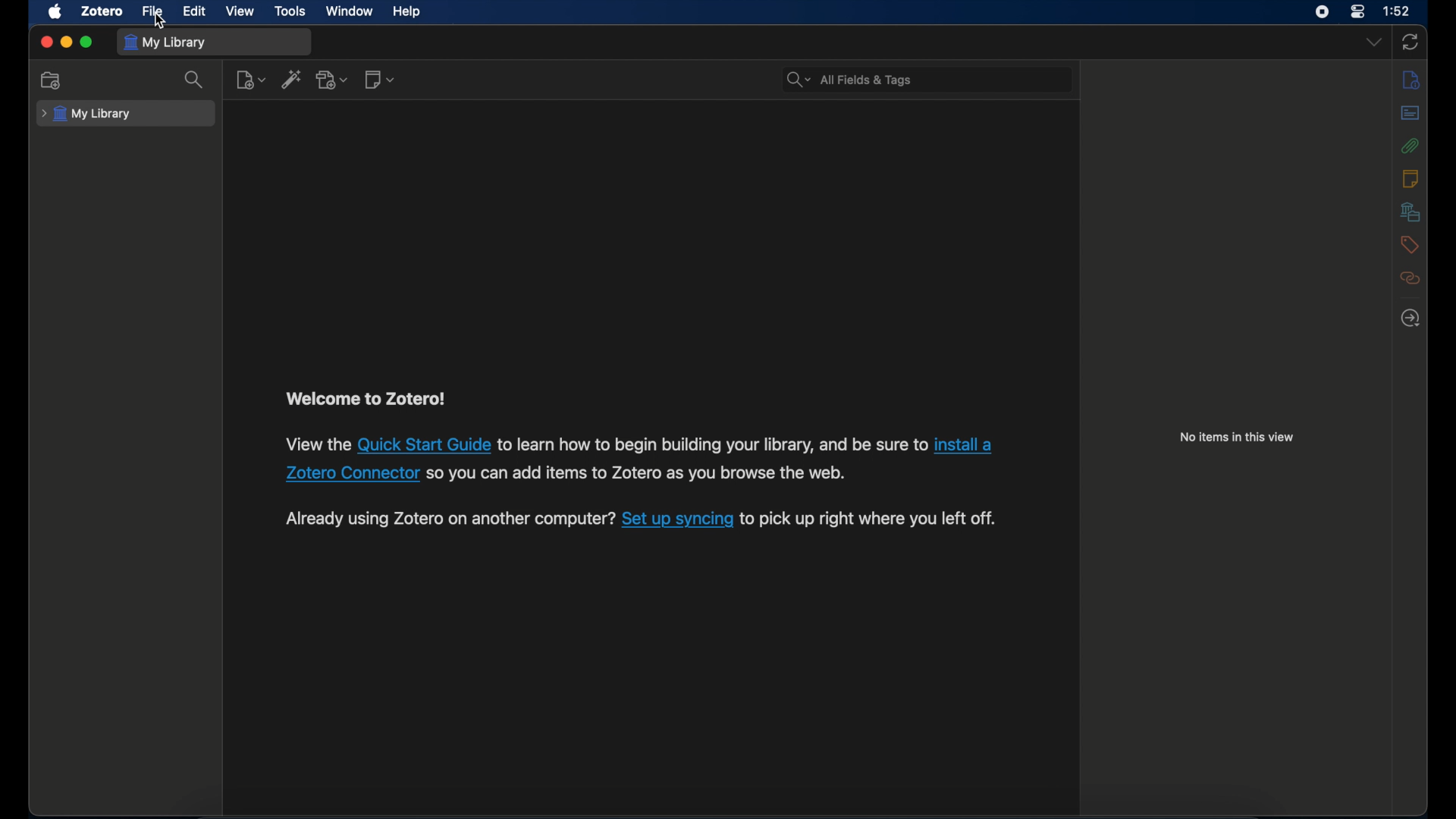  Describe the element at coordinates (316, 441) in the screenshot. I see `View the` at that location.